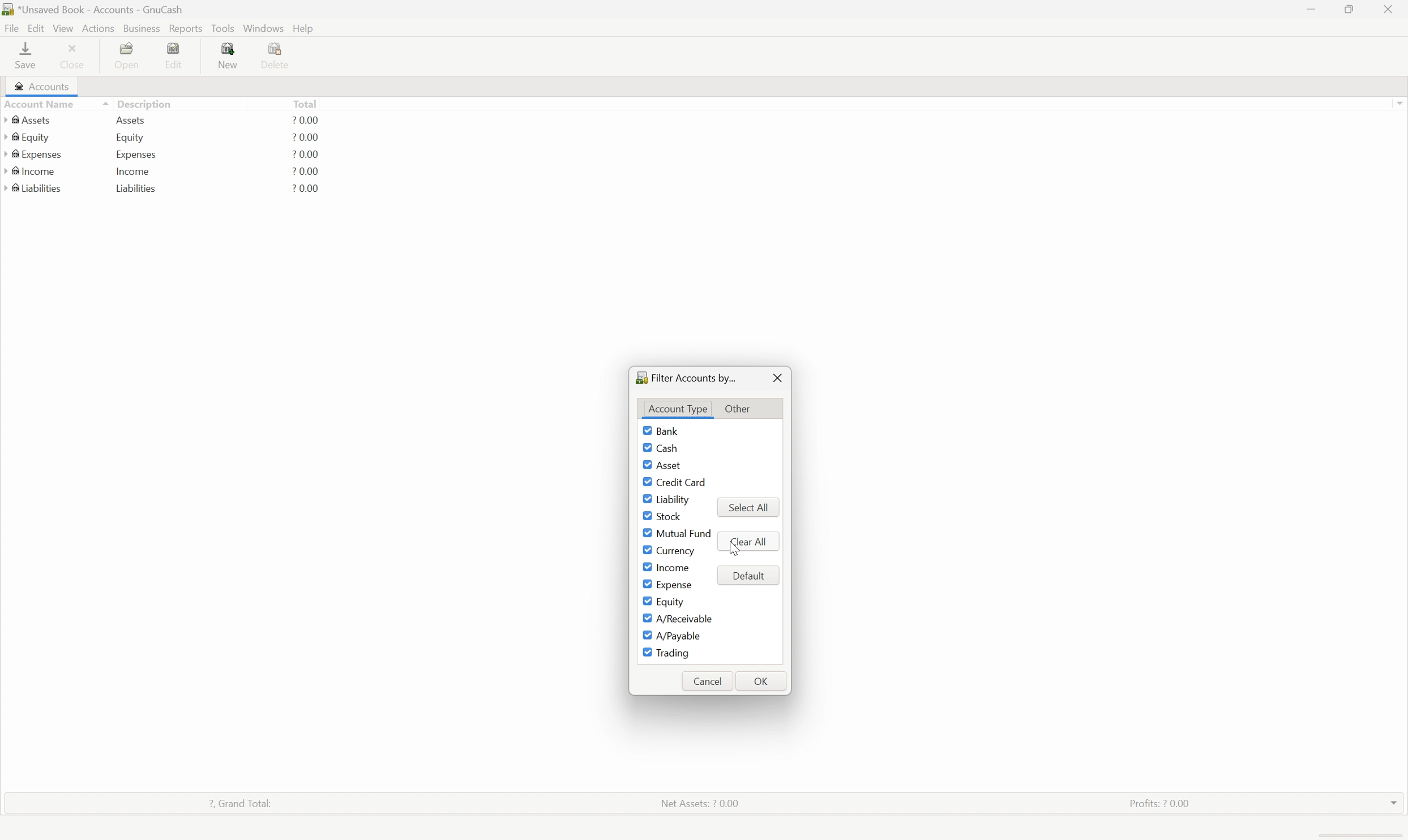 This screenshot has width=1408, height=840. Describe the element at coordinates (136, 188) in the screenshot. I see `Liabilities` at that location.